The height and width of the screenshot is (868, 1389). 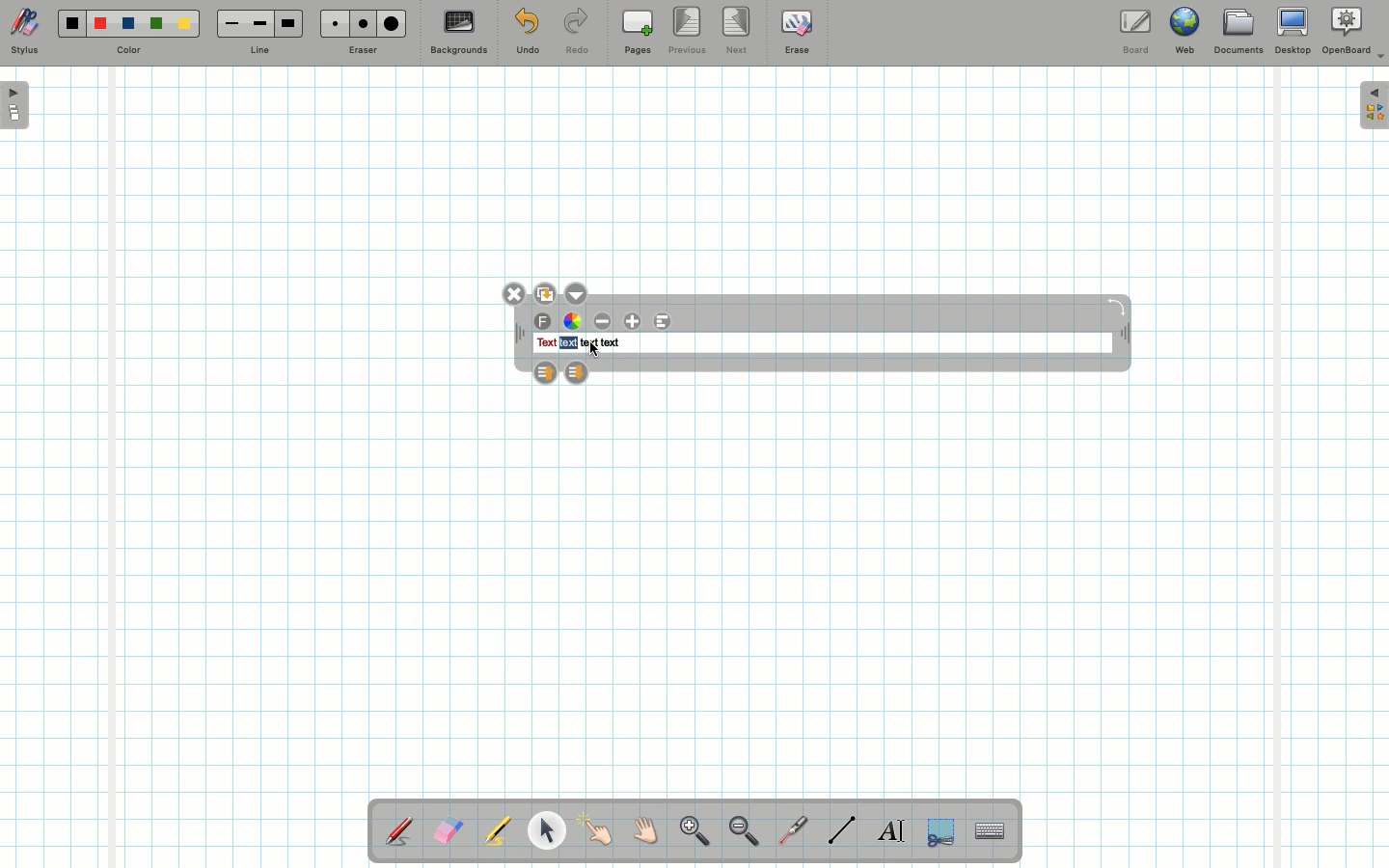 What do you see at coordinates (289, 23) in the screenshot?
I see `Large line` at bounding box center [289, 23].